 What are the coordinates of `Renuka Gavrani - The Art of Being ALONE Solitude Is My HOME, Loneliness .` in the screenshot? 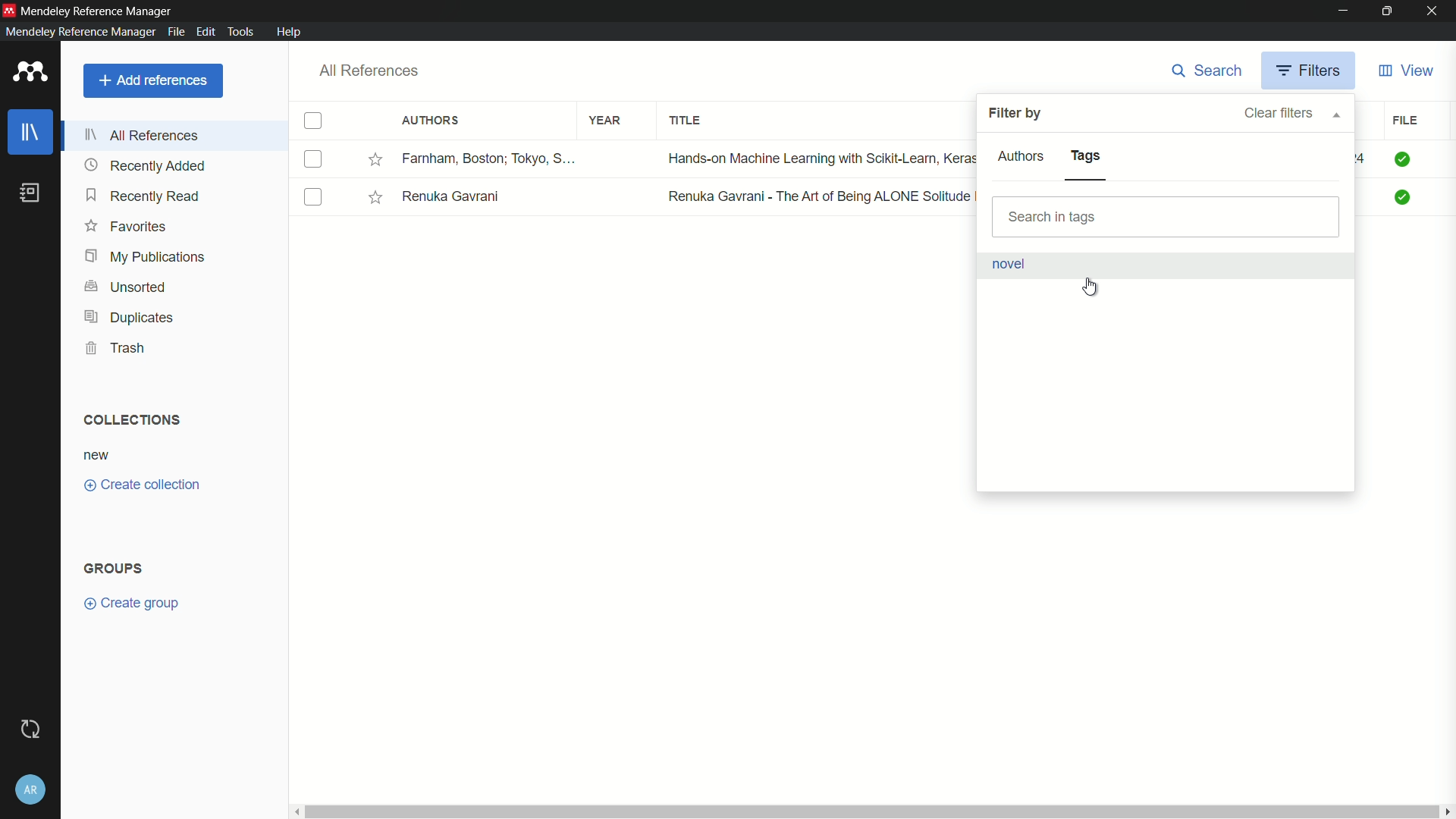 It's located at (817, 196).